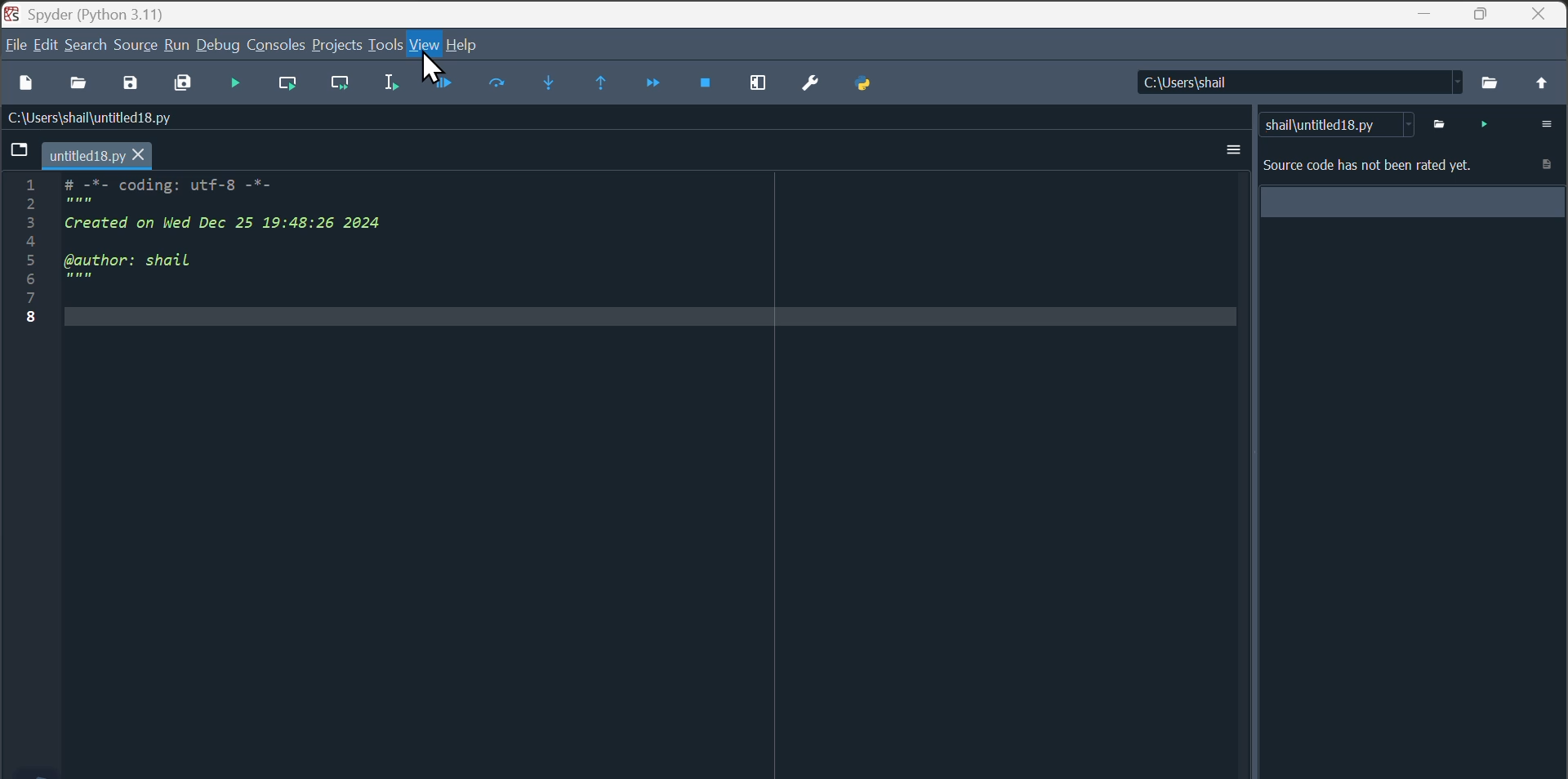  Describe the element at coordinates (47, 47) in the screenshot. I see `Edit` at that location.